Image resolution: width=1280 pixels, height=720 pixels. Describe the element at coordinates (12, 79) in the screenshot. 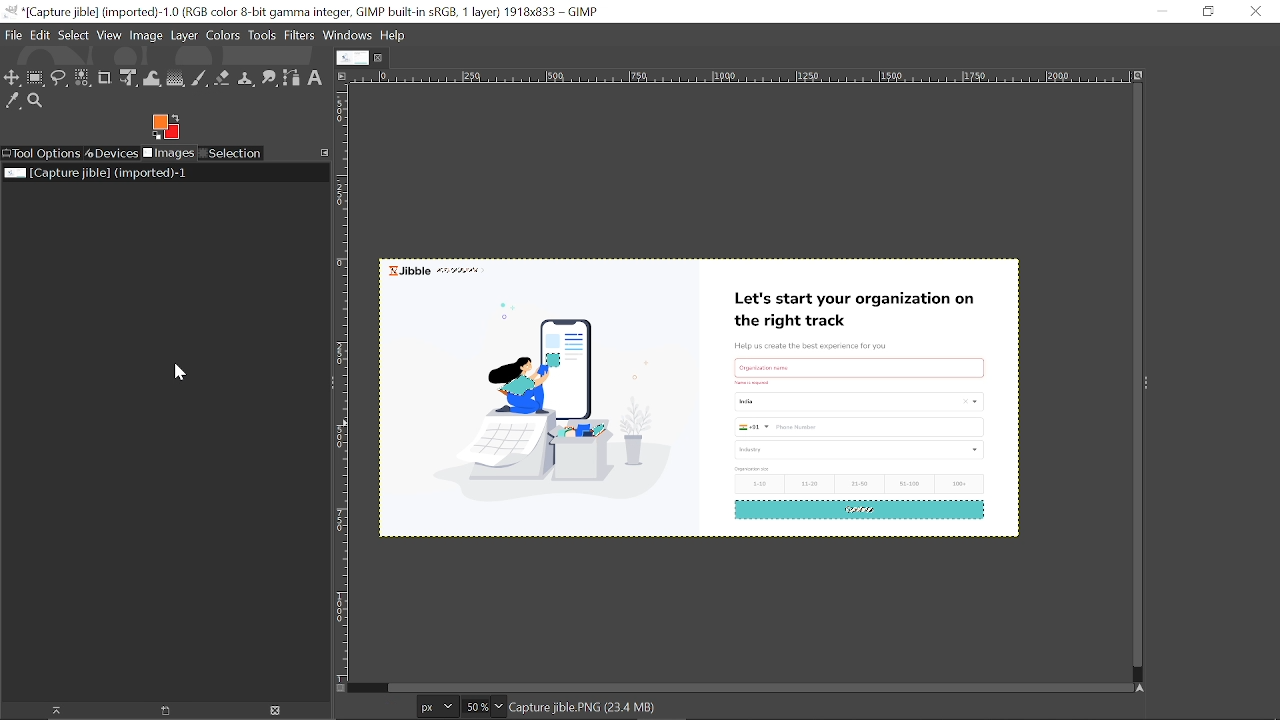

I see `Move tool` at that location.